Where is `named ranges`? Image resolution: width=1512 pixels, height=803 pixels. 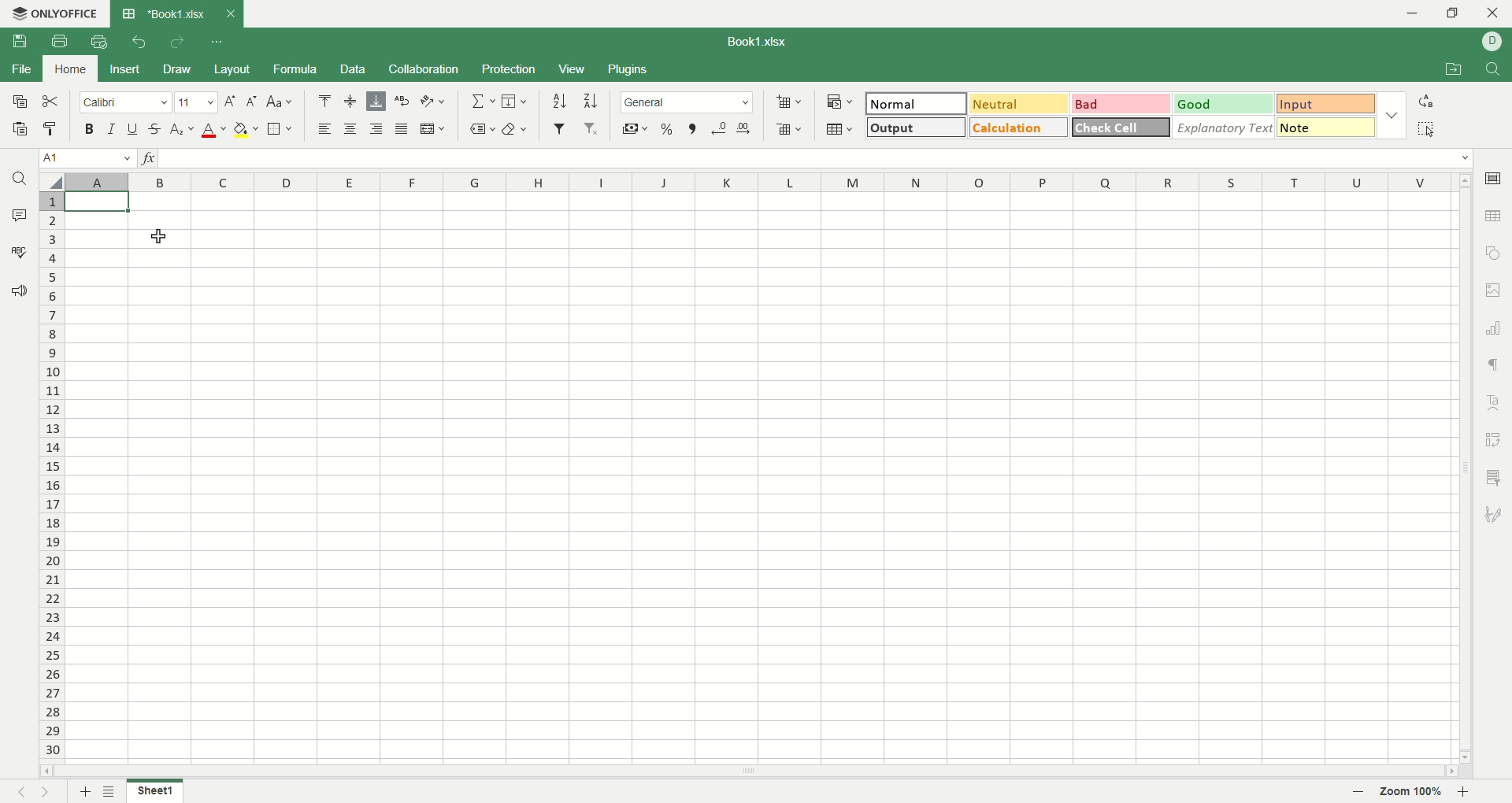 named ranges is located at coordinates (480, 129).